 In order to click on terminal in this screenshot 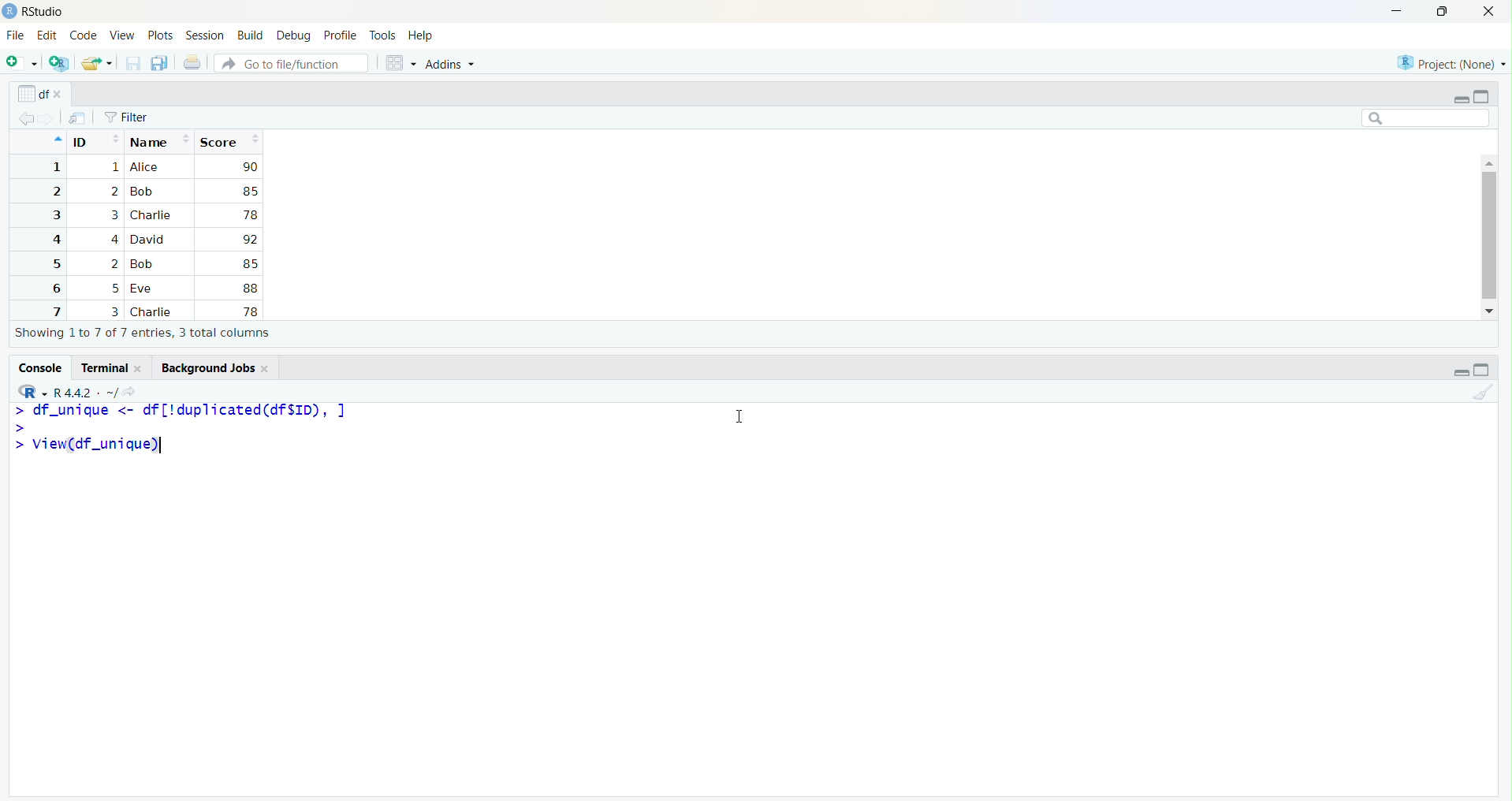, I will do `click(102, 368)`.